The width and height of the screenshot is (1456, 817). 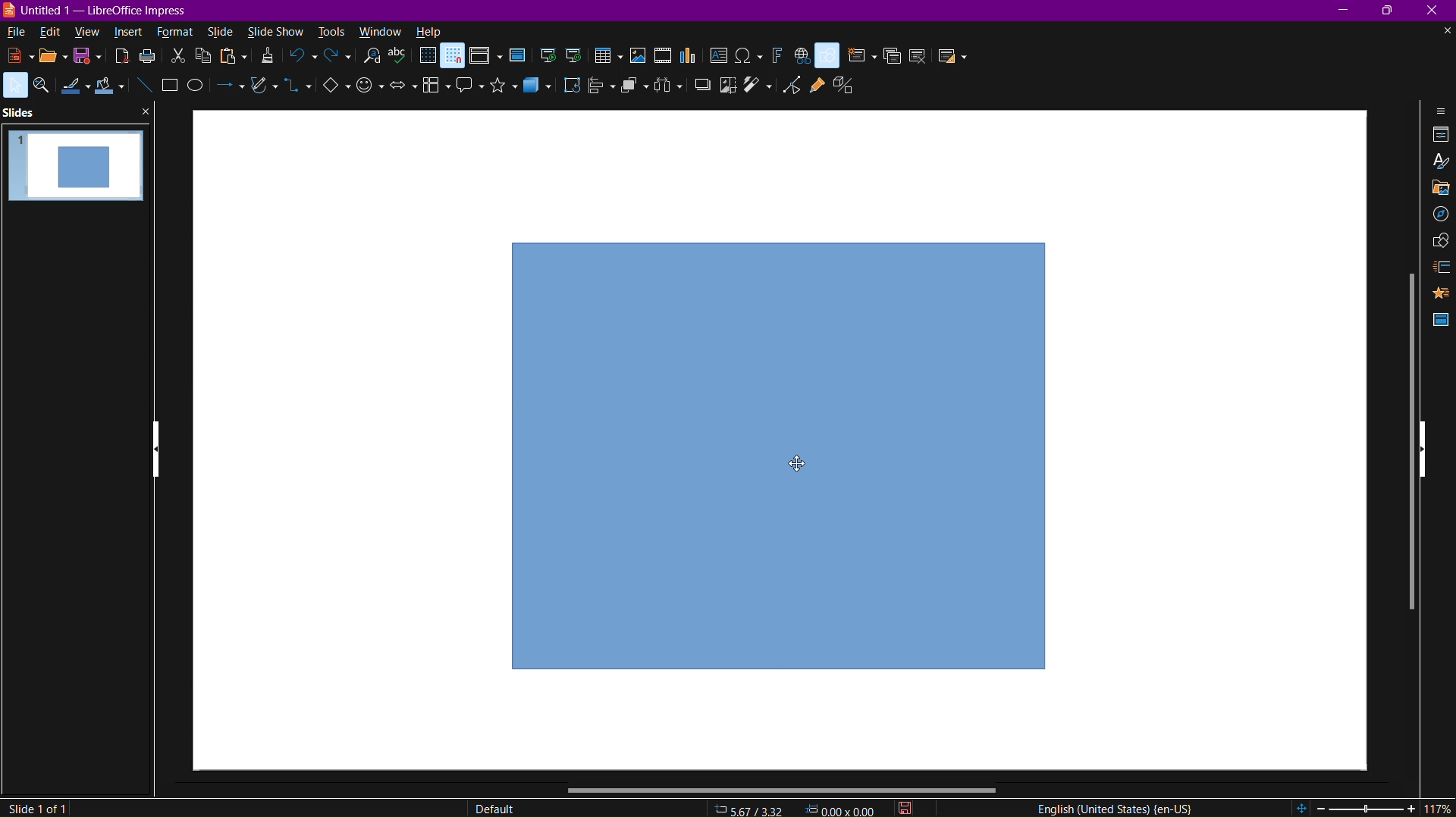 I want to click on view, so click(x=89, y=33).